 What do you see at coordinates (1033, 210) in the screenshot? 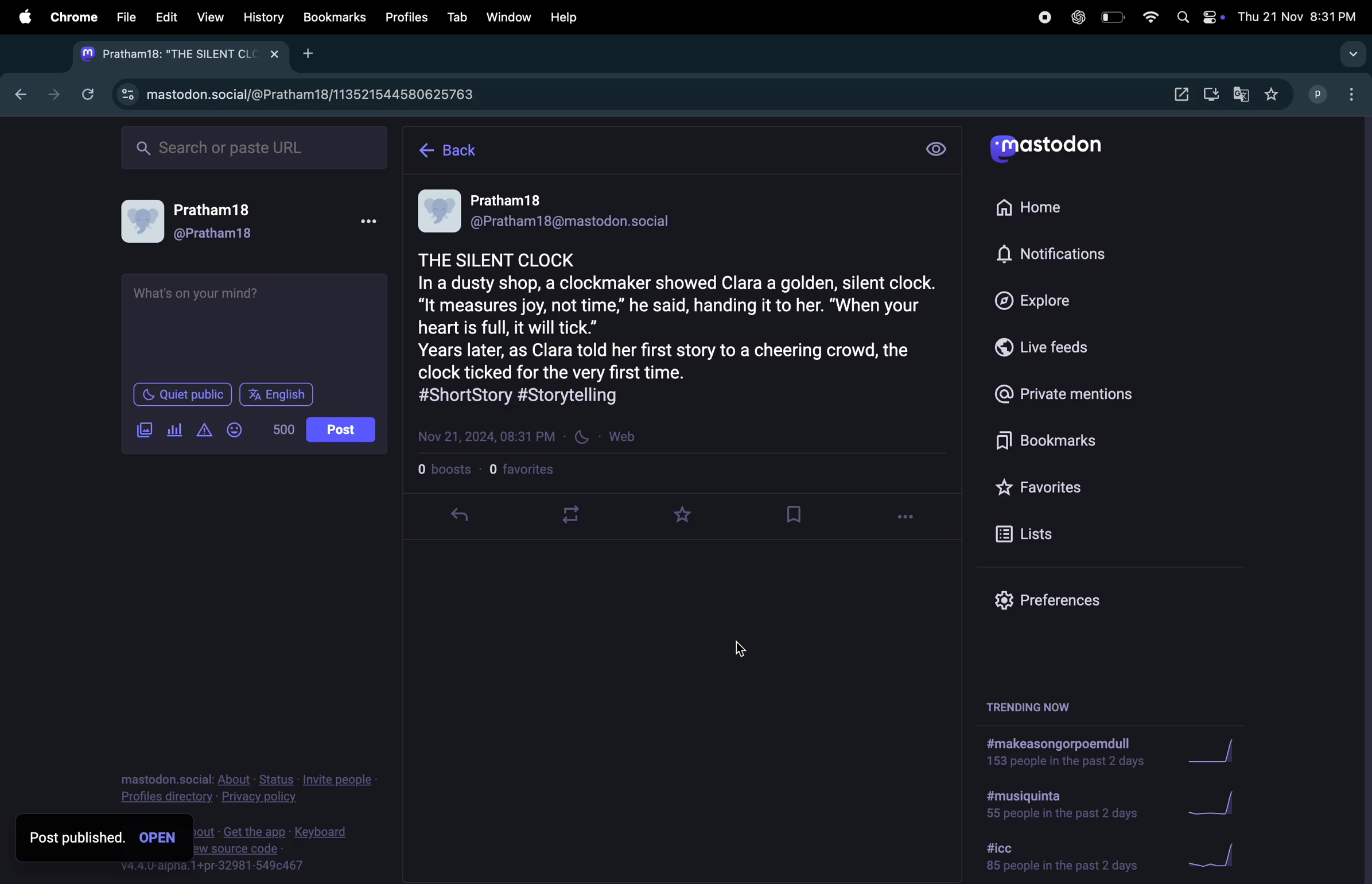
I see `home` at bounding box center [1033, 210].